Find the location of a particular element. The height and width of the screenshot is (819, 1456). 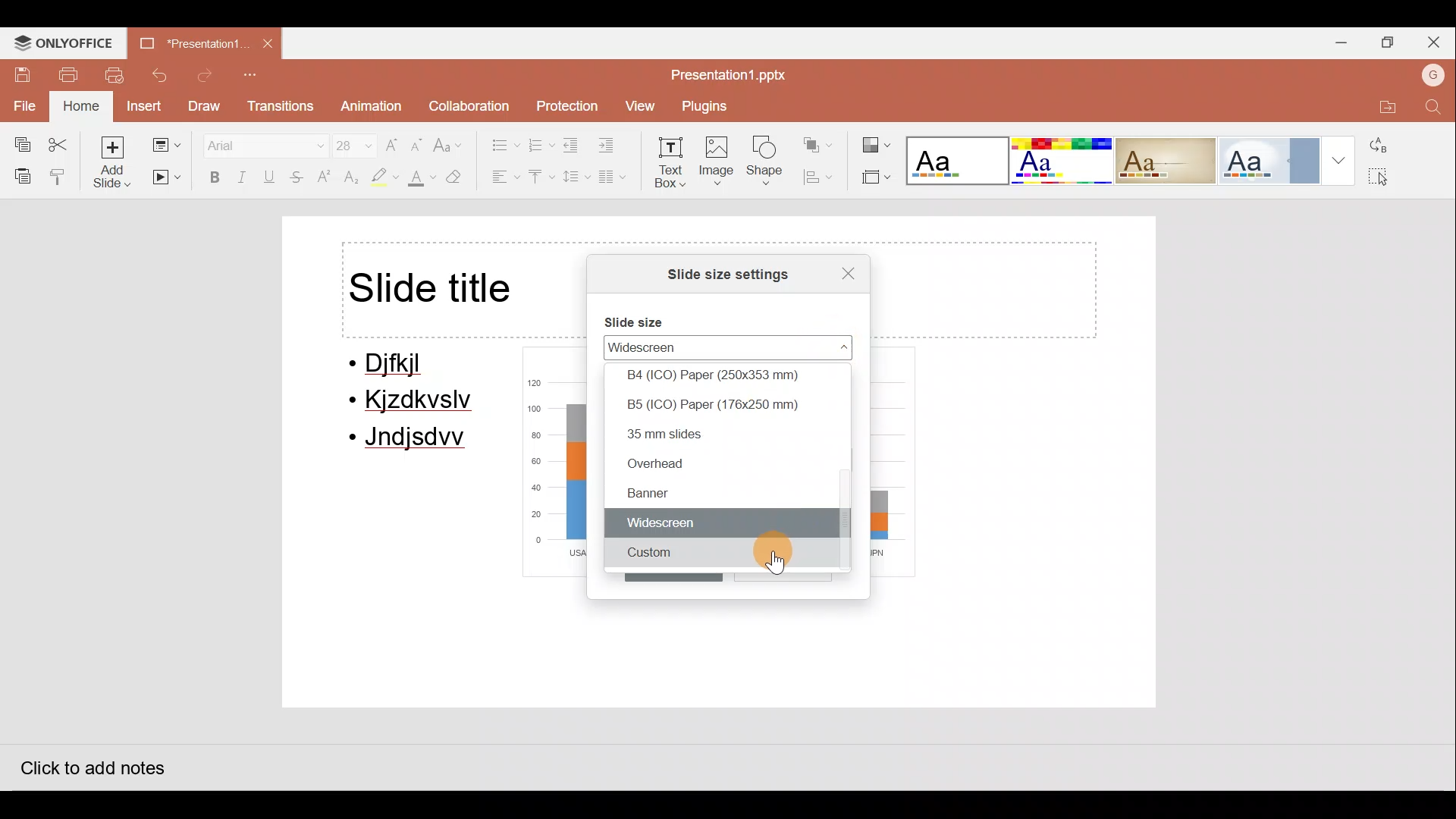

Font size is located at coordinates (346, 142).